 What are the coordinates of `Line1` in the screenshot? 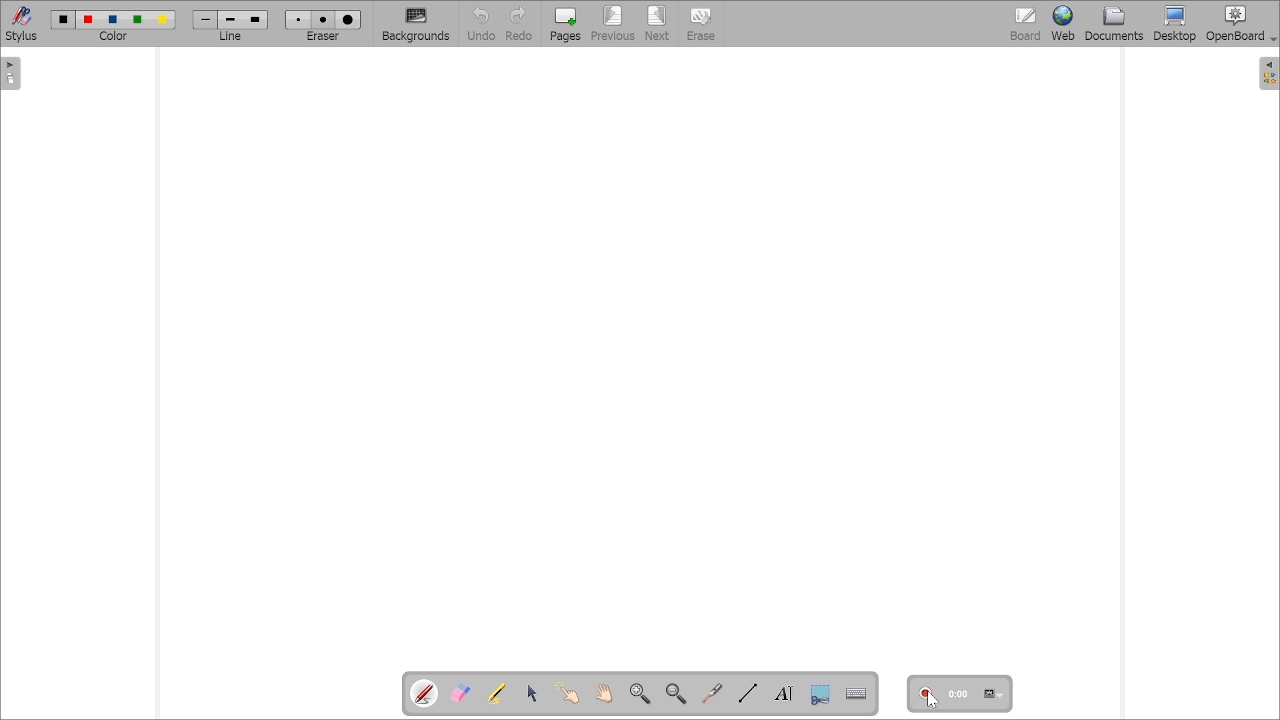 It's located at (205, 19).